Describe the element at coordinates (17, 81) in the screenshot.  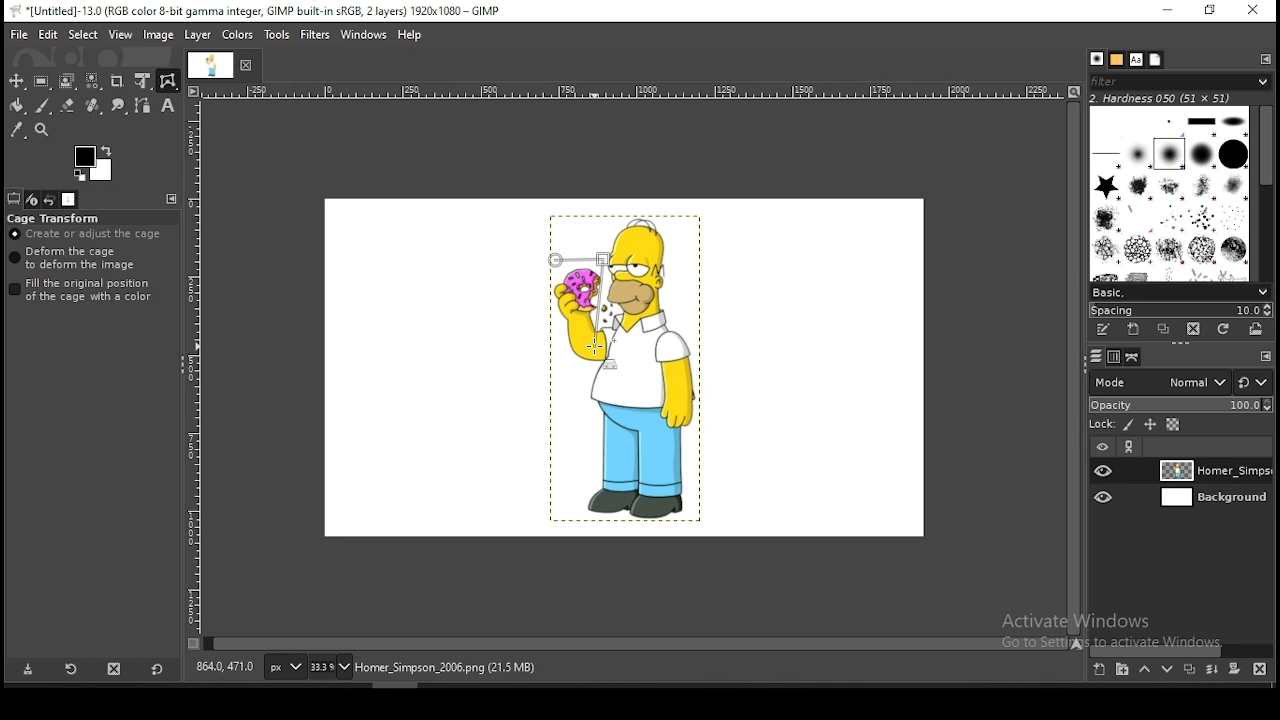
I see `move tool` at that location.